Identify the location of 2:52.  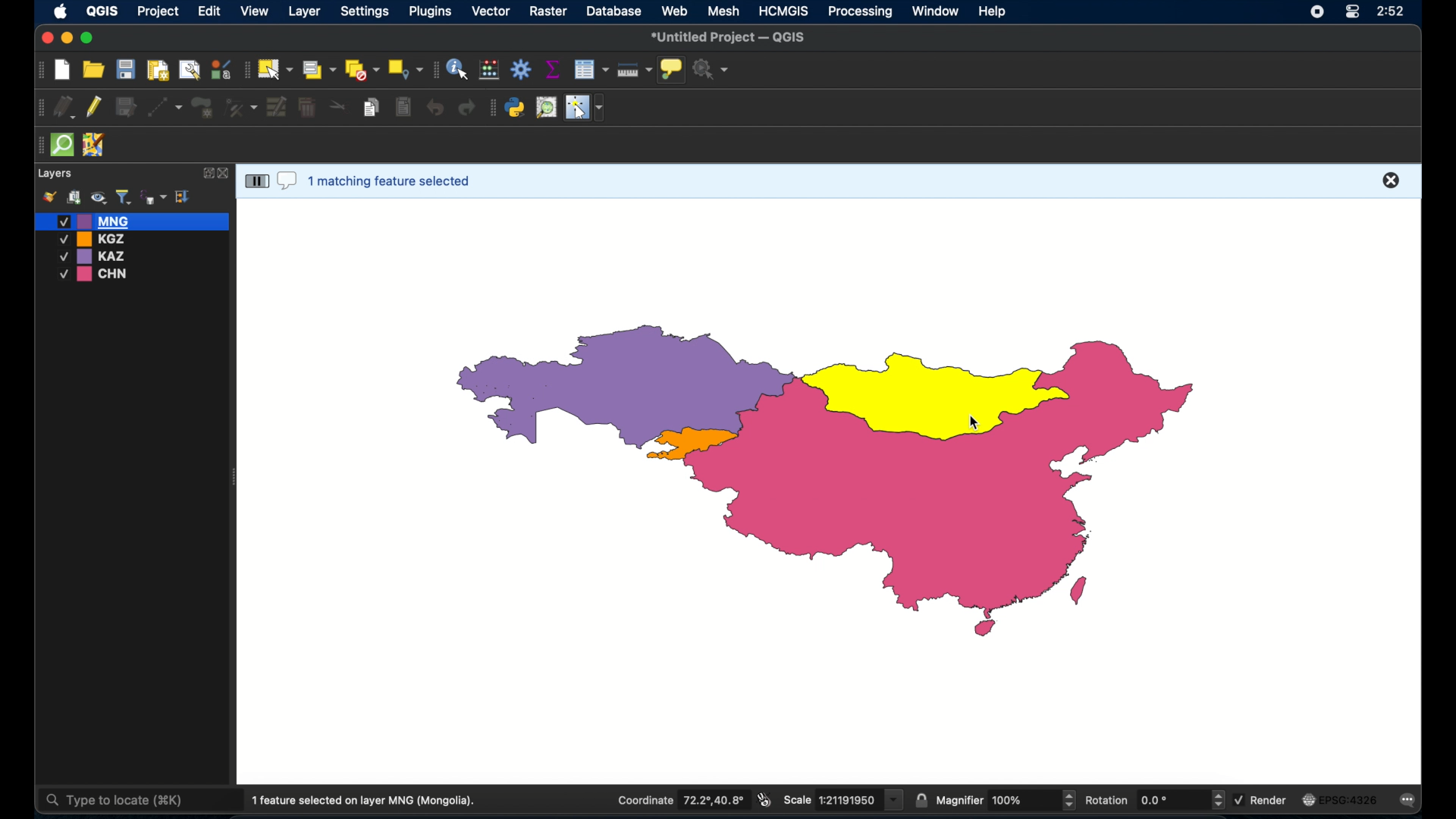
(1389, 12).